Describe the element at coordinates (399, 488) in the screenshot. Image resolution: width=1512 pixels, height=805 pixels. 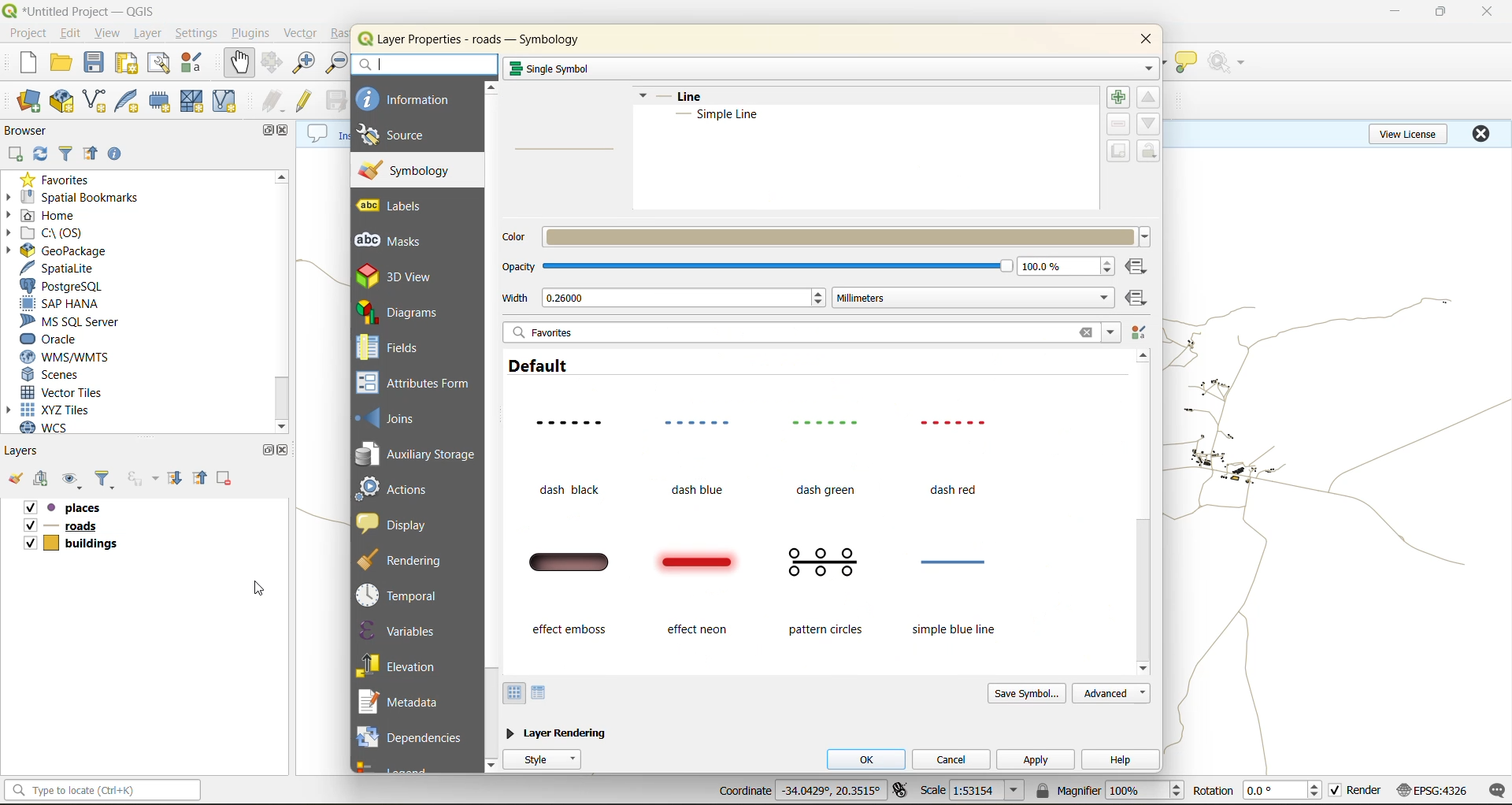
I see `actions` at that location.